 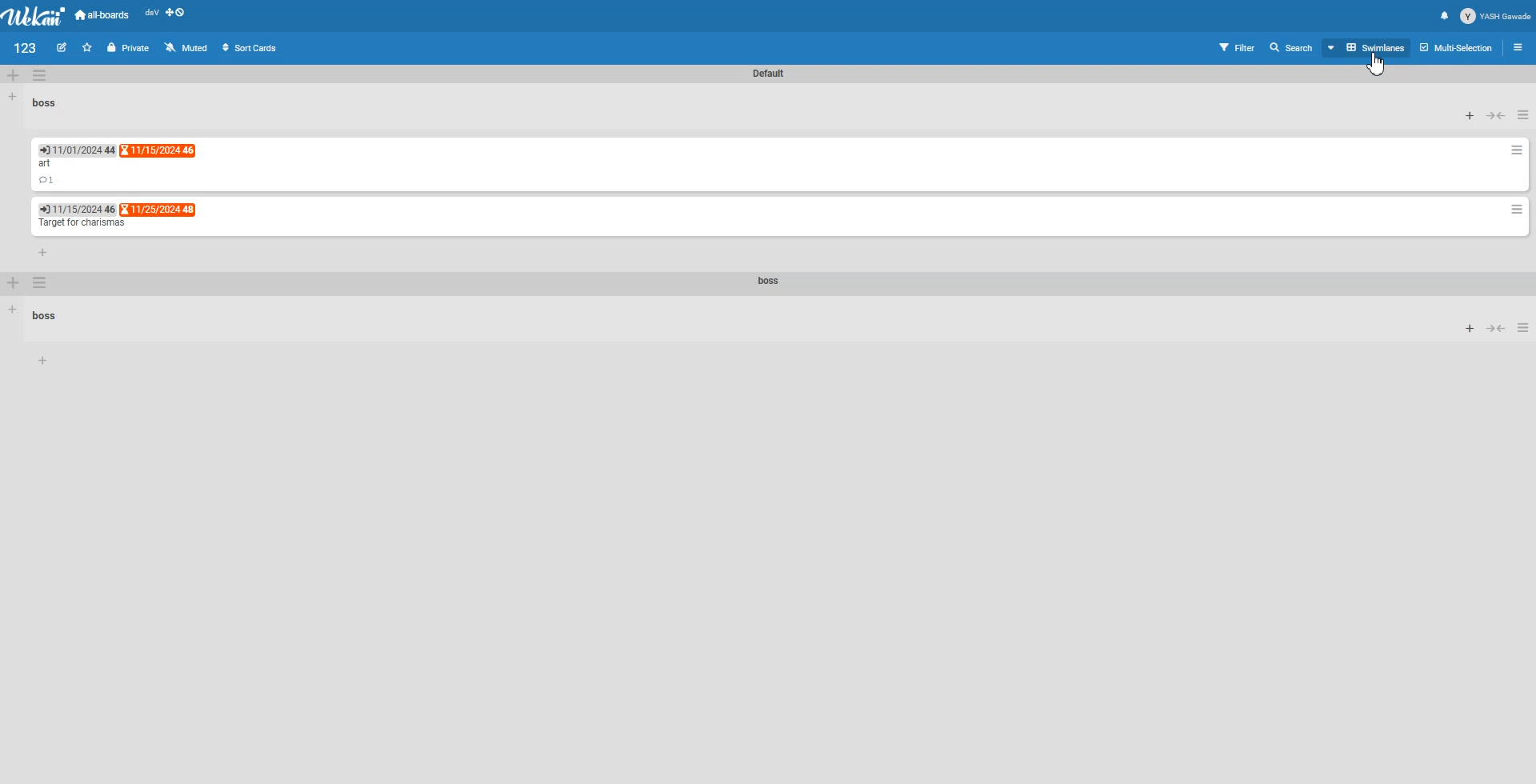 I want to click on Sort Cards, so click(x=252, y=46).